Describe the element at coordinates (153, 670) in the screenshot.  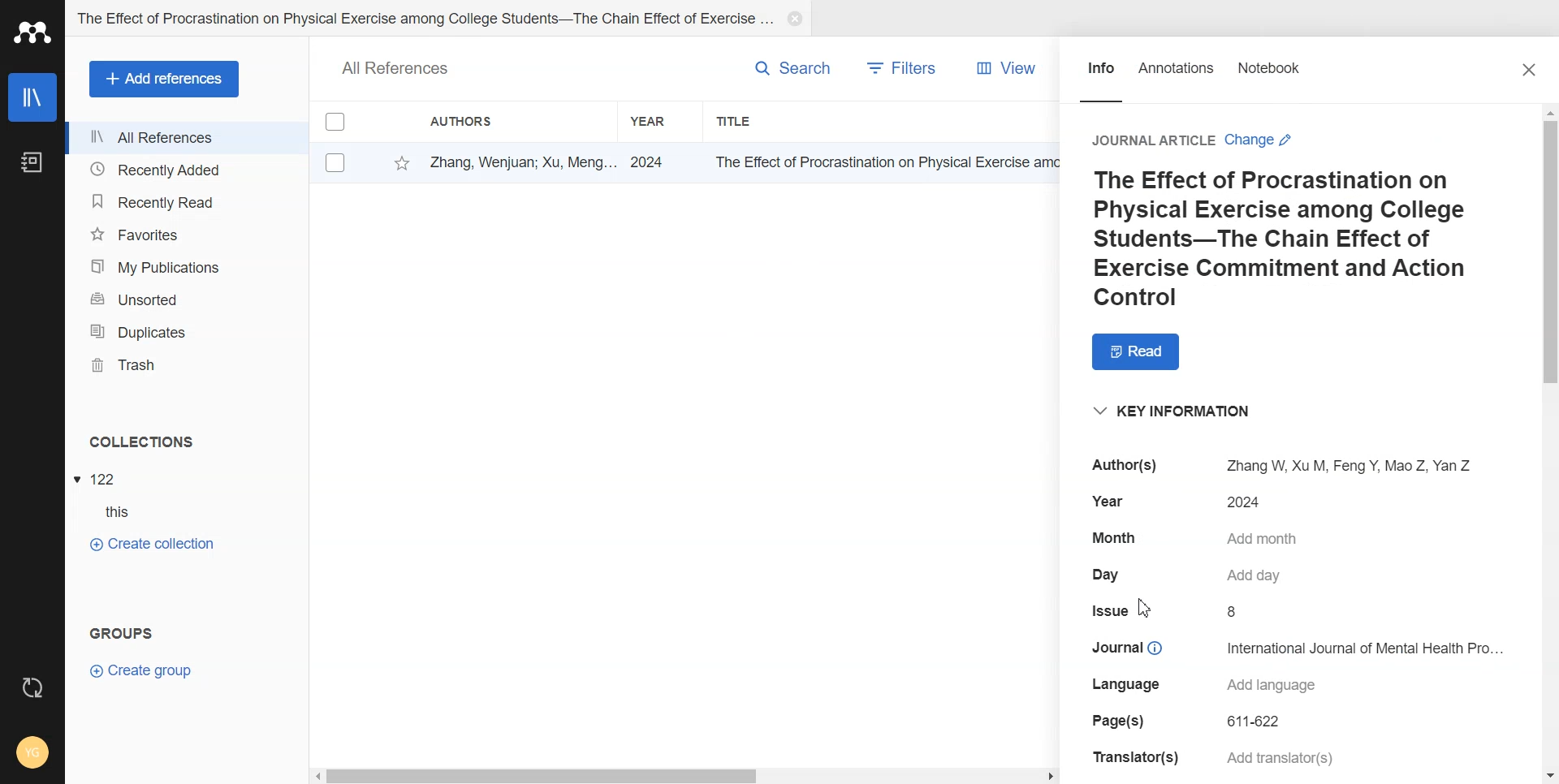
I see `Create Group` at that location.